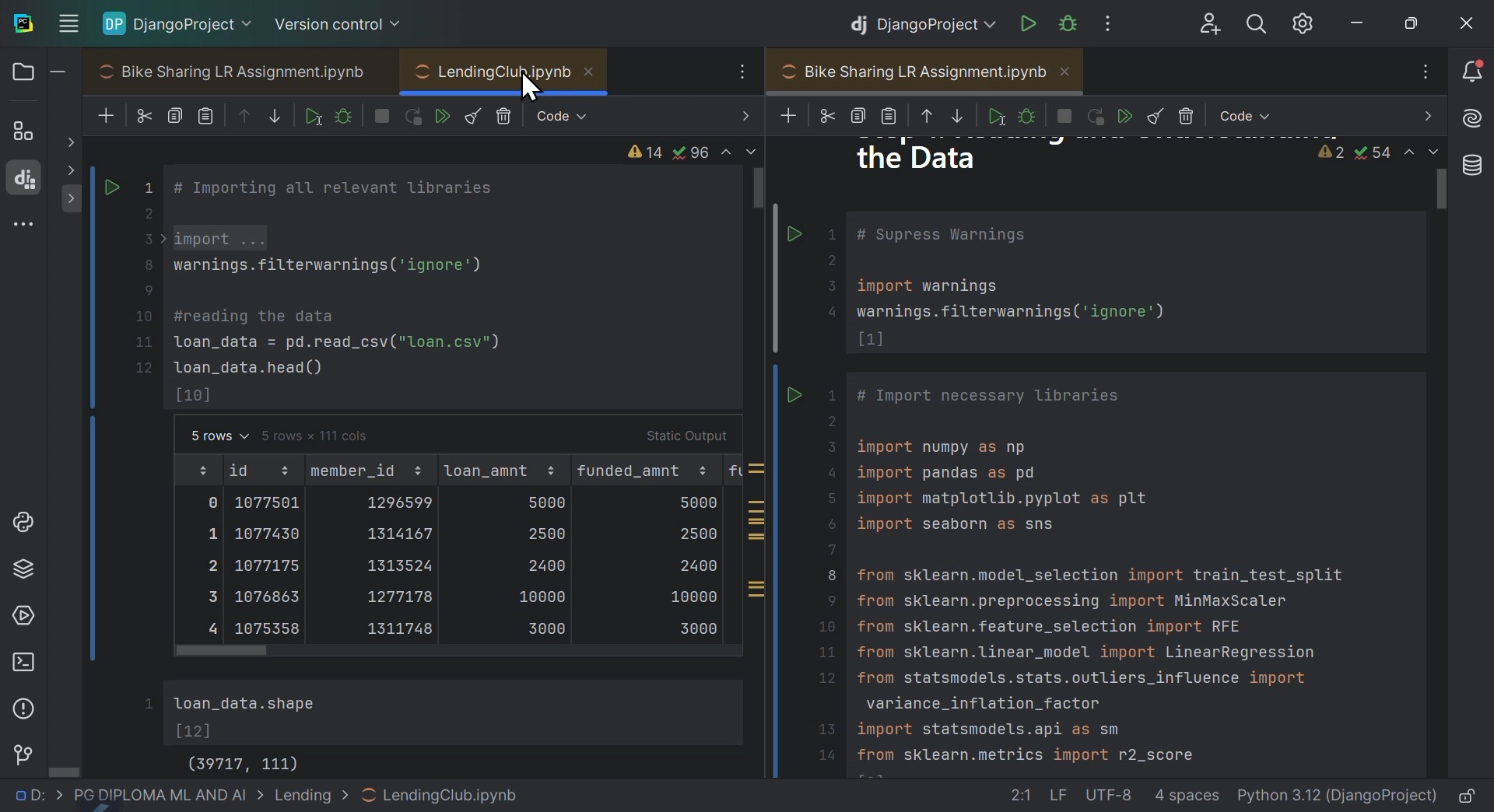  I want to click on , so click(1067, 114).